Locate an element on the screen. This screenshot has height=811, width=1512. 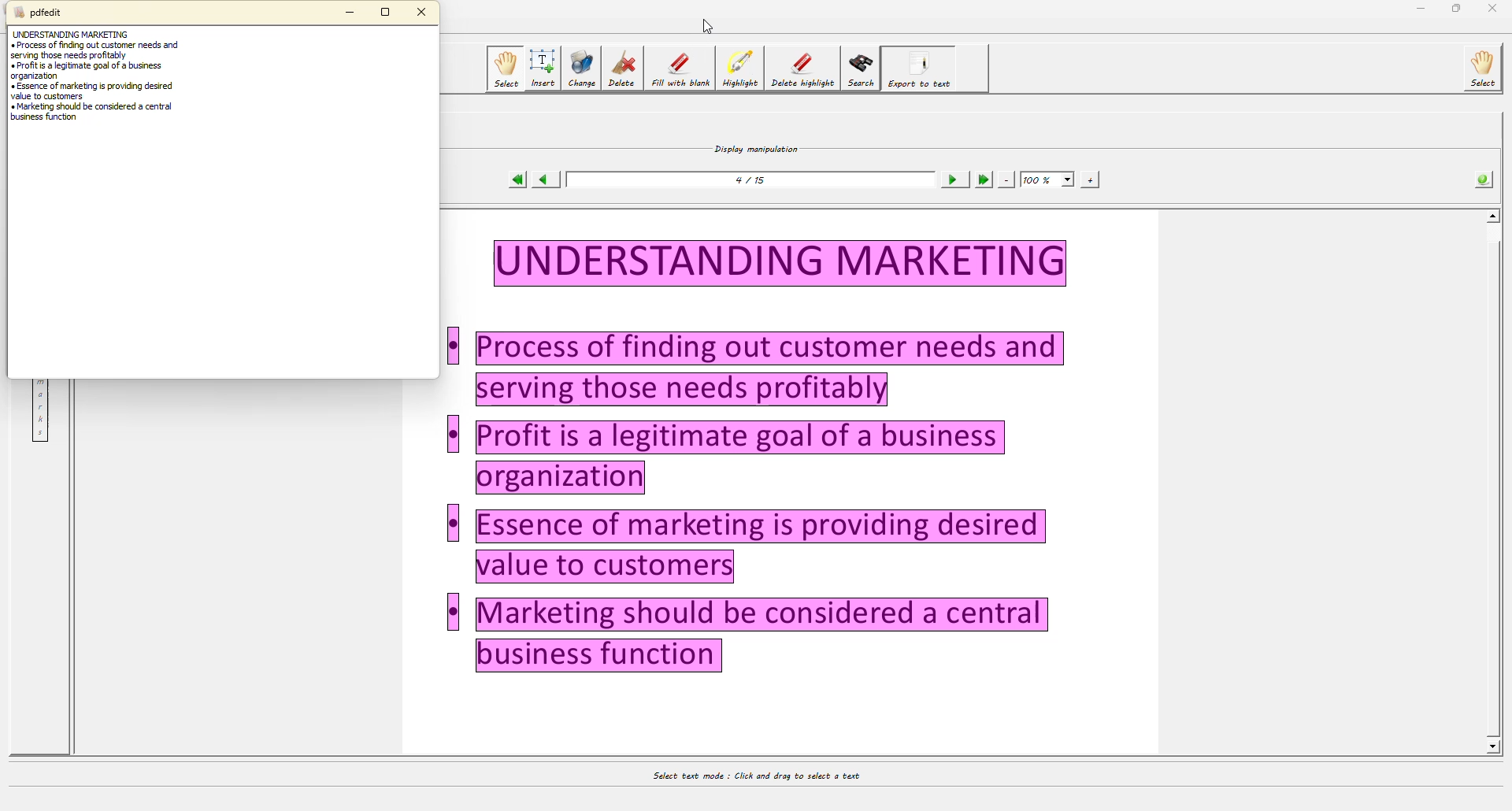
search is located at coordinates (862, 67).